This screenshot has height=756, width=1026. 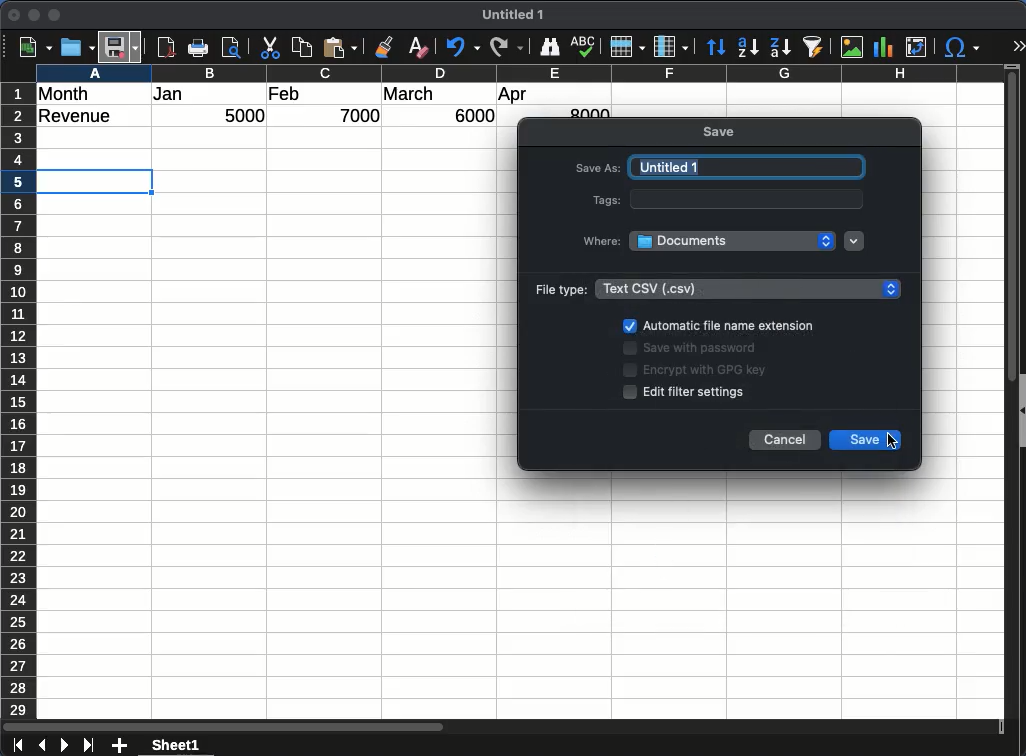 I want to click on jan, so click(x=179, y=95).